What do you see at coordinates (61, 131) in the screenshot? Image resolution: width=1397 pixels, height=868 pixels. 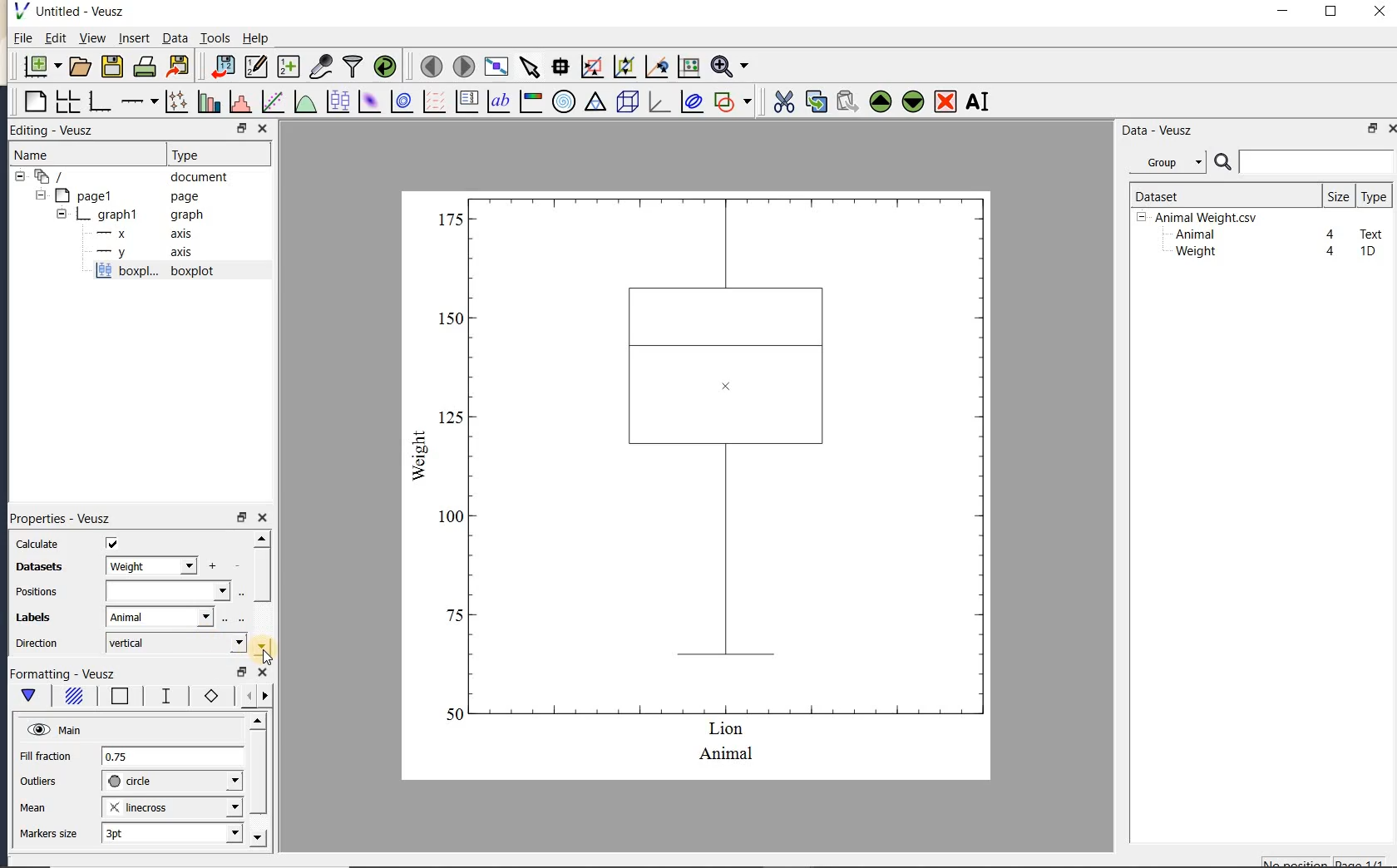 I see `Editing - Veusz` at bounding box center [61, 131].